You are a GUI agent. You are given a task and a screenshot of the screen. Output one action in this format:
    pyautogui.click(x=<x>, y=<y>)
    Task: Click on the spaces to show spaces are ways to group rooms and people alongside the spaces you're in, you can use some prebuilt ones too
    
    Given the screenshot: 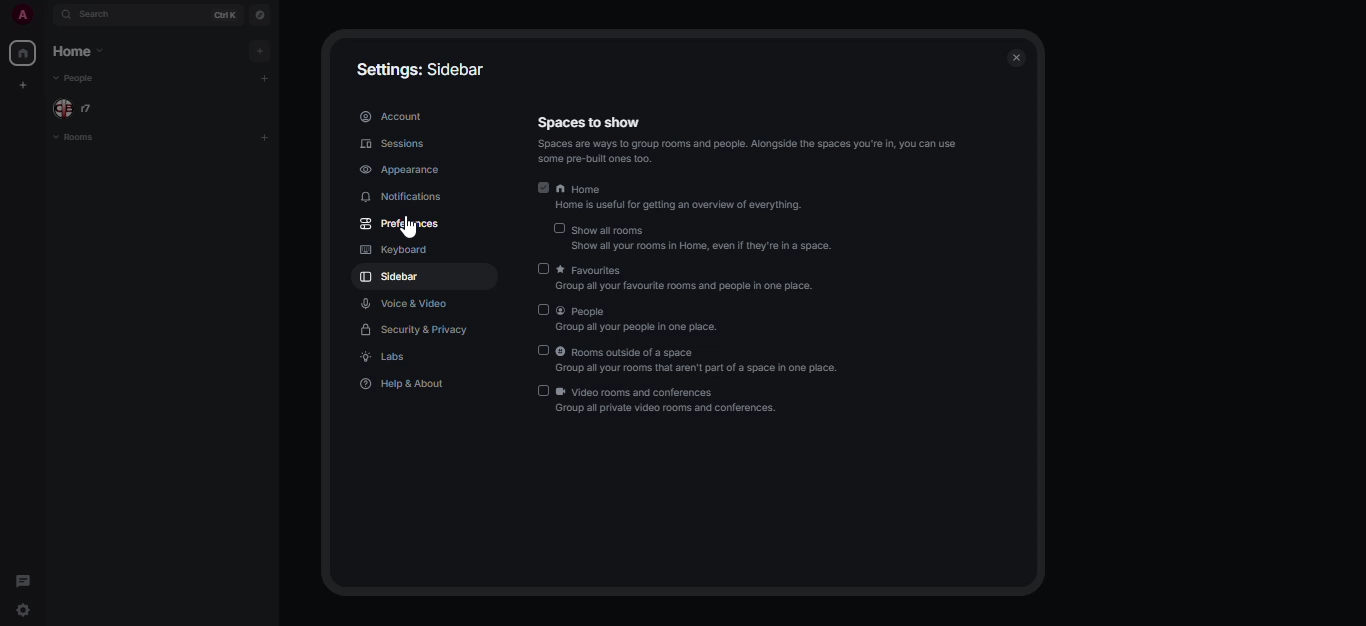 What is the action you would take?
    pyautogui.click(x=747, y=137)
    